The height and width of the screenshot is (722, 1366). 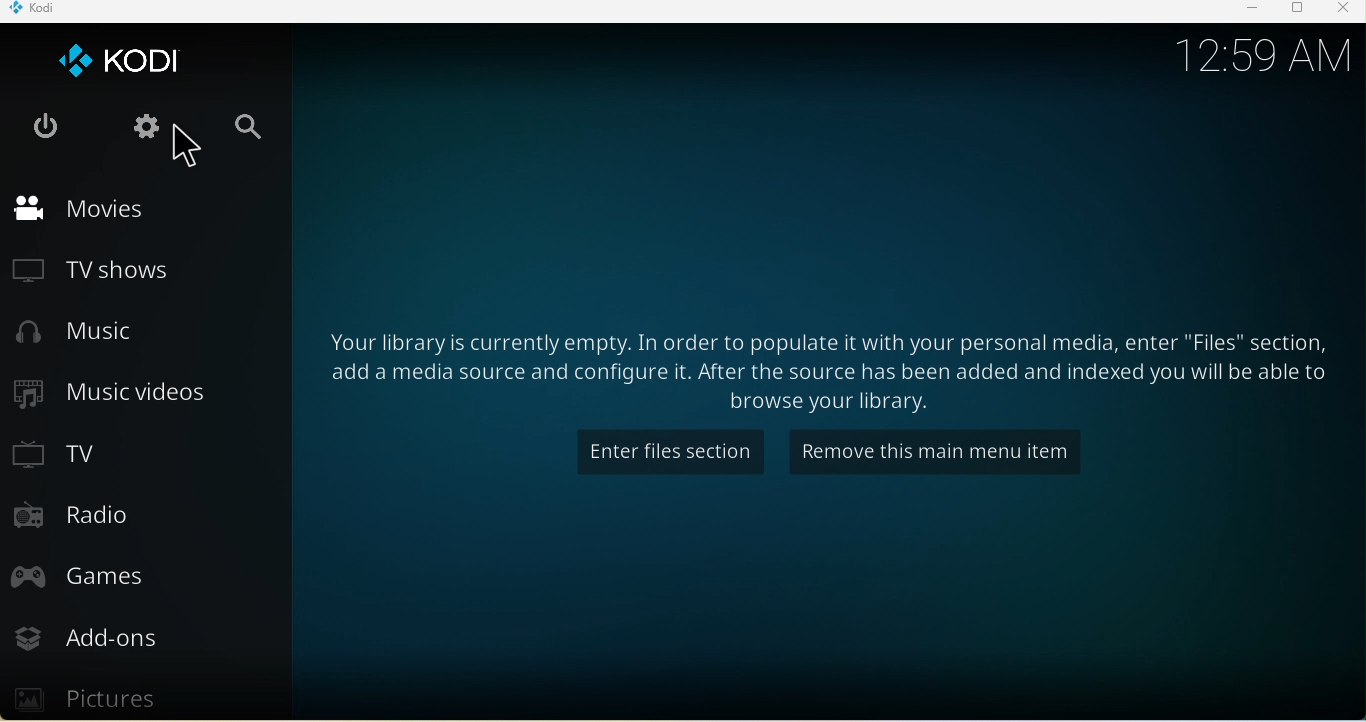 What do you see at coordinates (194, 149) in the screenshot?
I see `Cursor` at bounding box center [194, 149].